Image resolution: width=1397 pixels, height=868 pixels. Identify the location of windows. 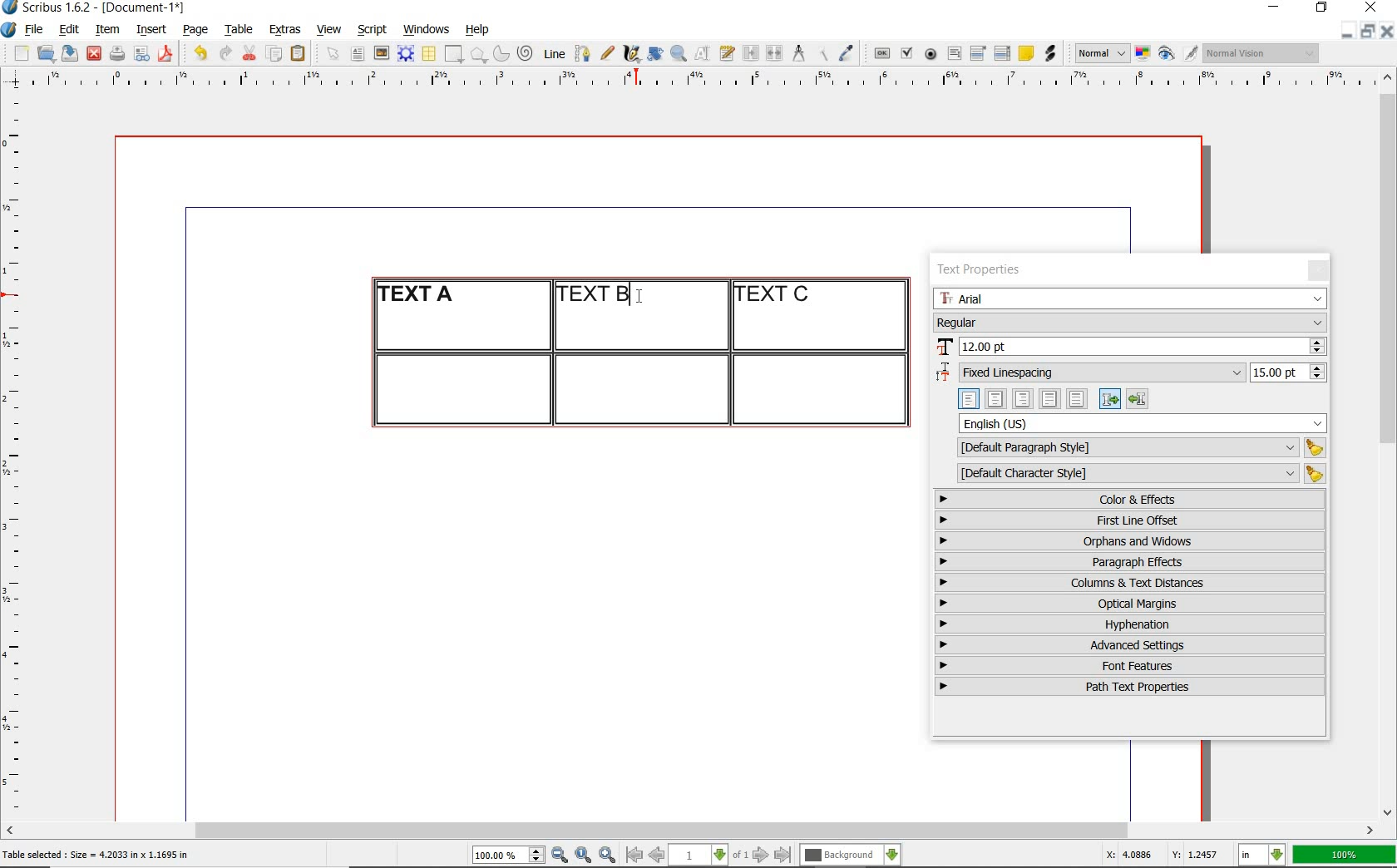
(427, 30).